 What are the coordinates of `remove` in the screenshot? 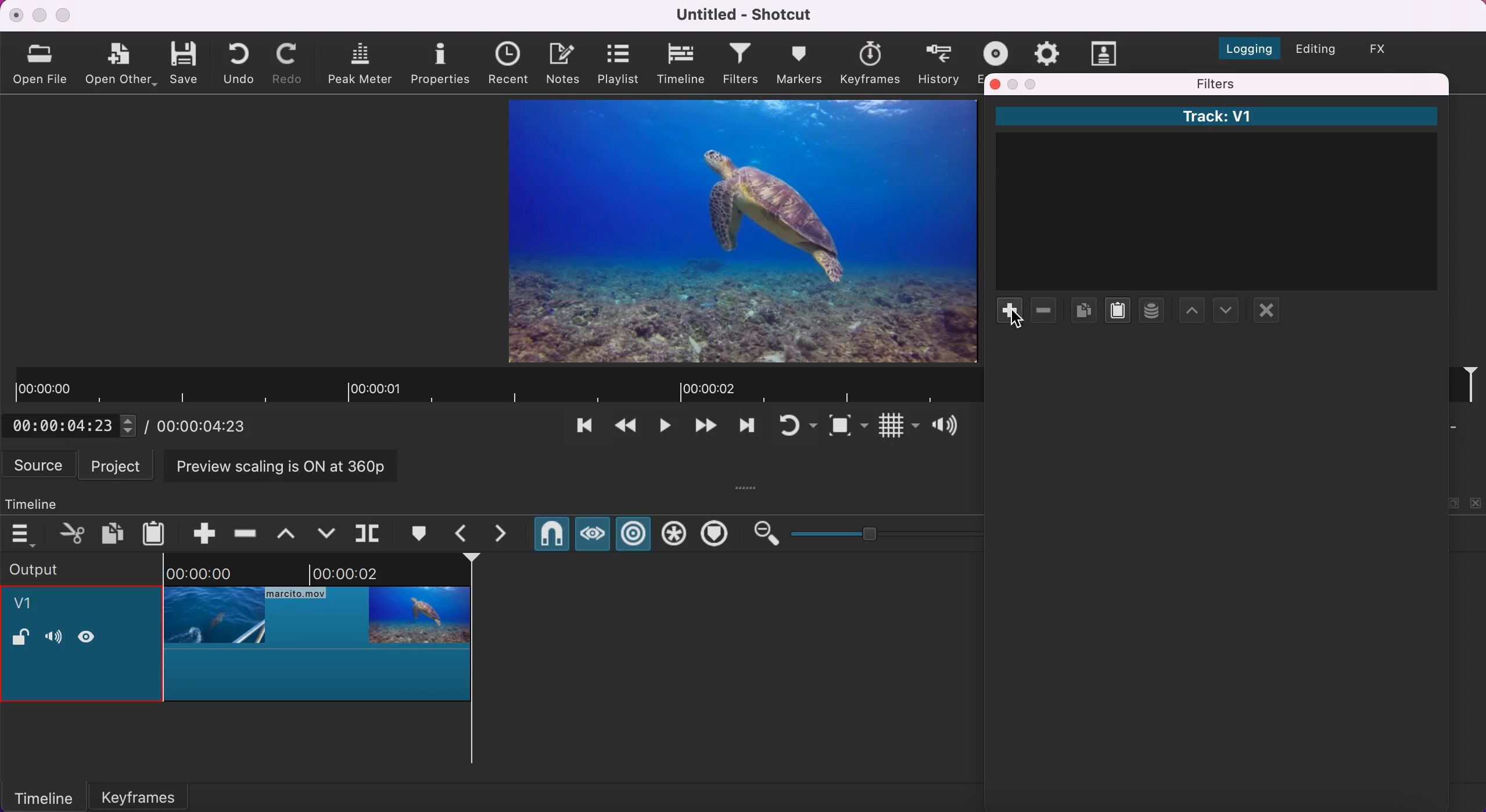 It's located at (1046, 313).